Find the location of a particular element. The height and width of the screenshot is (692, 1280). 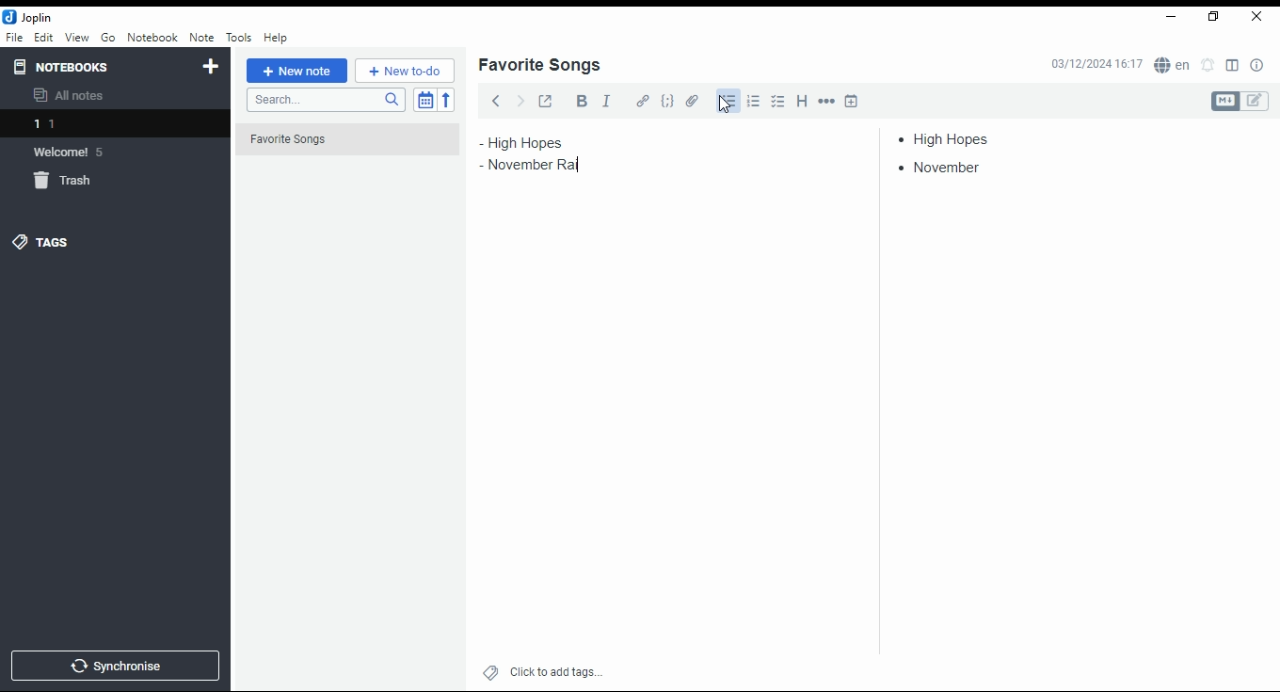

notebooks is located at coordinates (97, 66).